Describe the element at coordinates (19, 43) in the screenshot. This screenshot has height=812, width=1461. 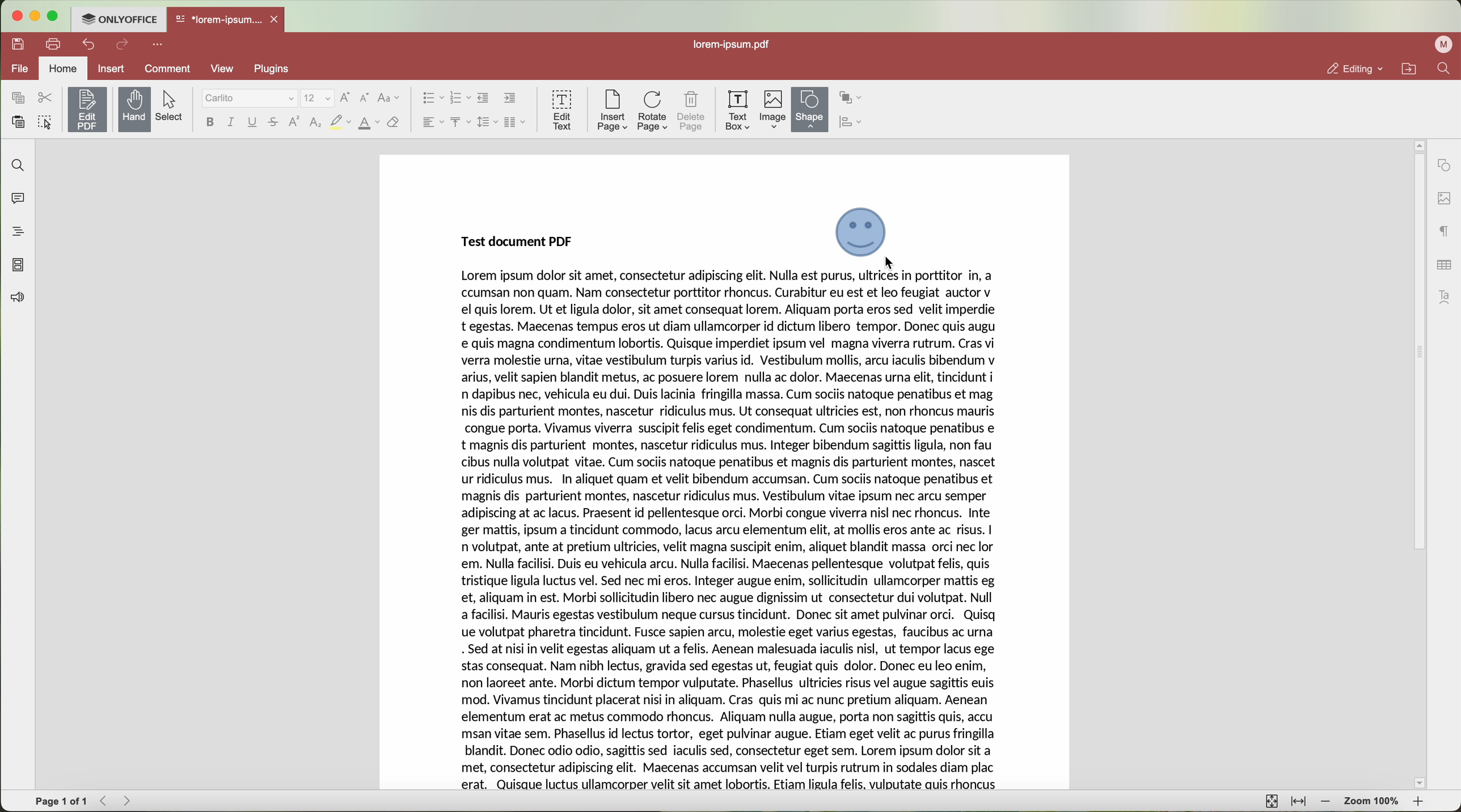
I see `save` at that location.